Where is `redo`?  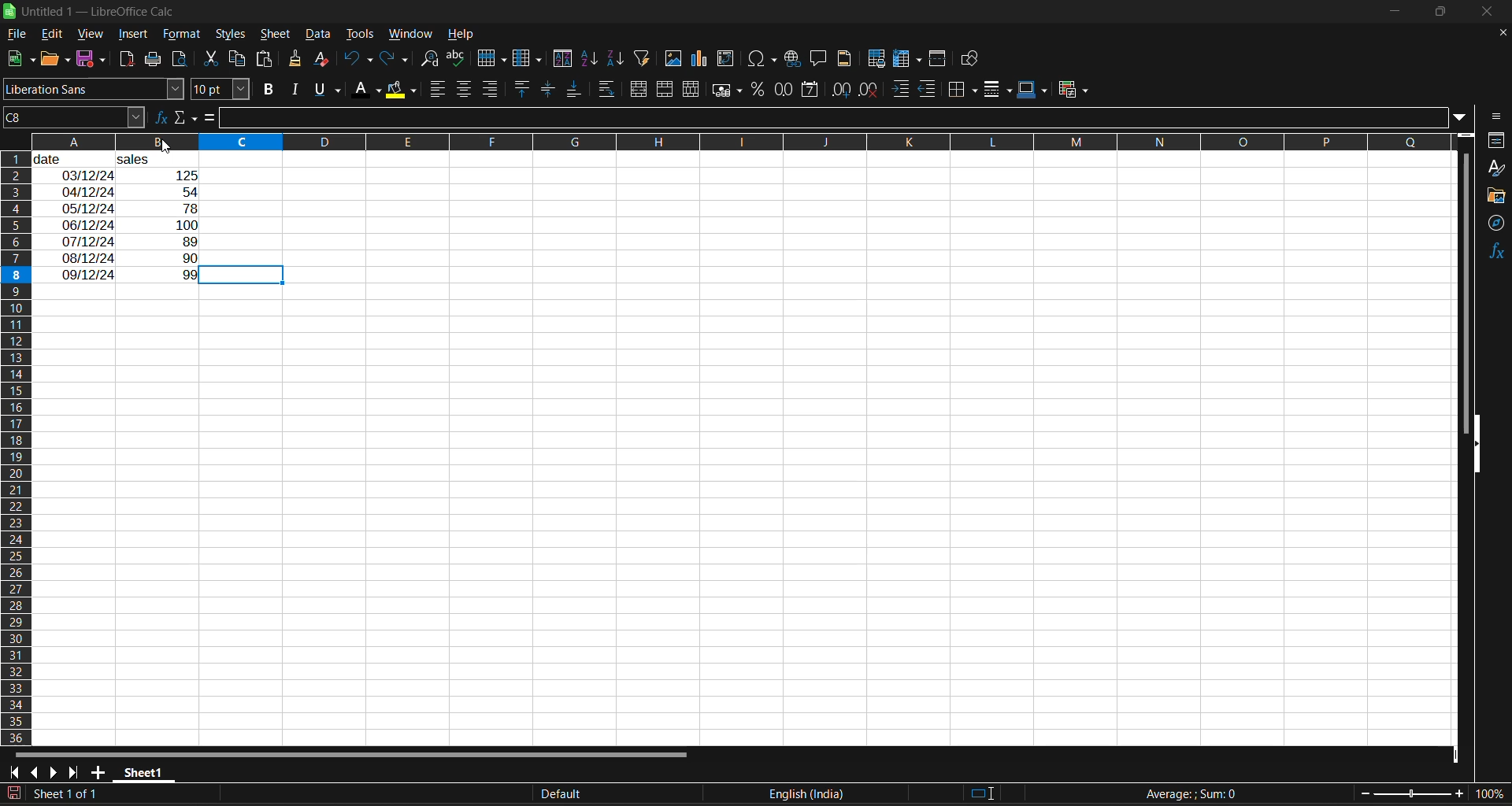 redo is located at coordinates (397, 59).